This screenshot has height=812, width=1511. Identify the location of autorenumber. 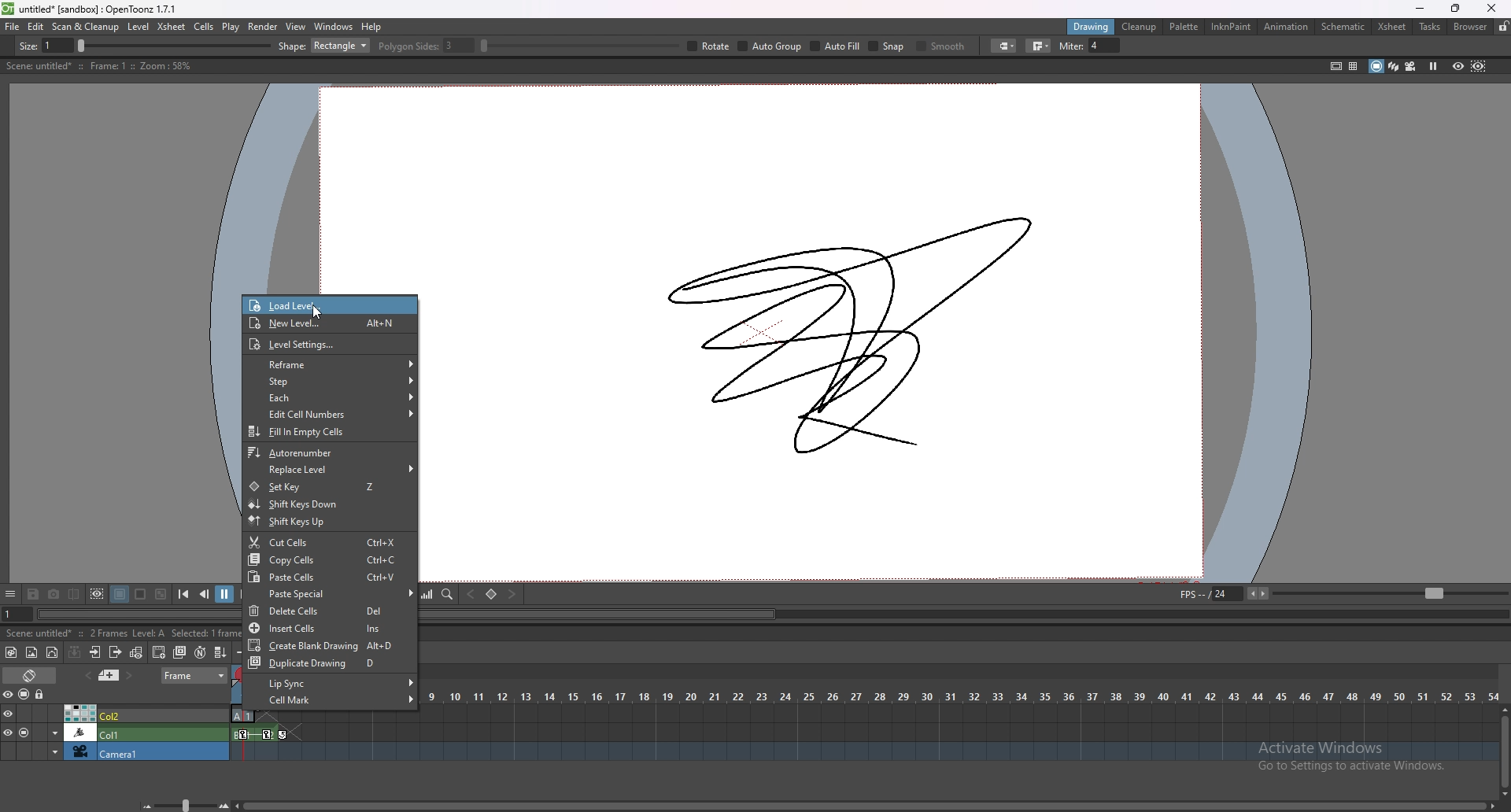
(330, 452).